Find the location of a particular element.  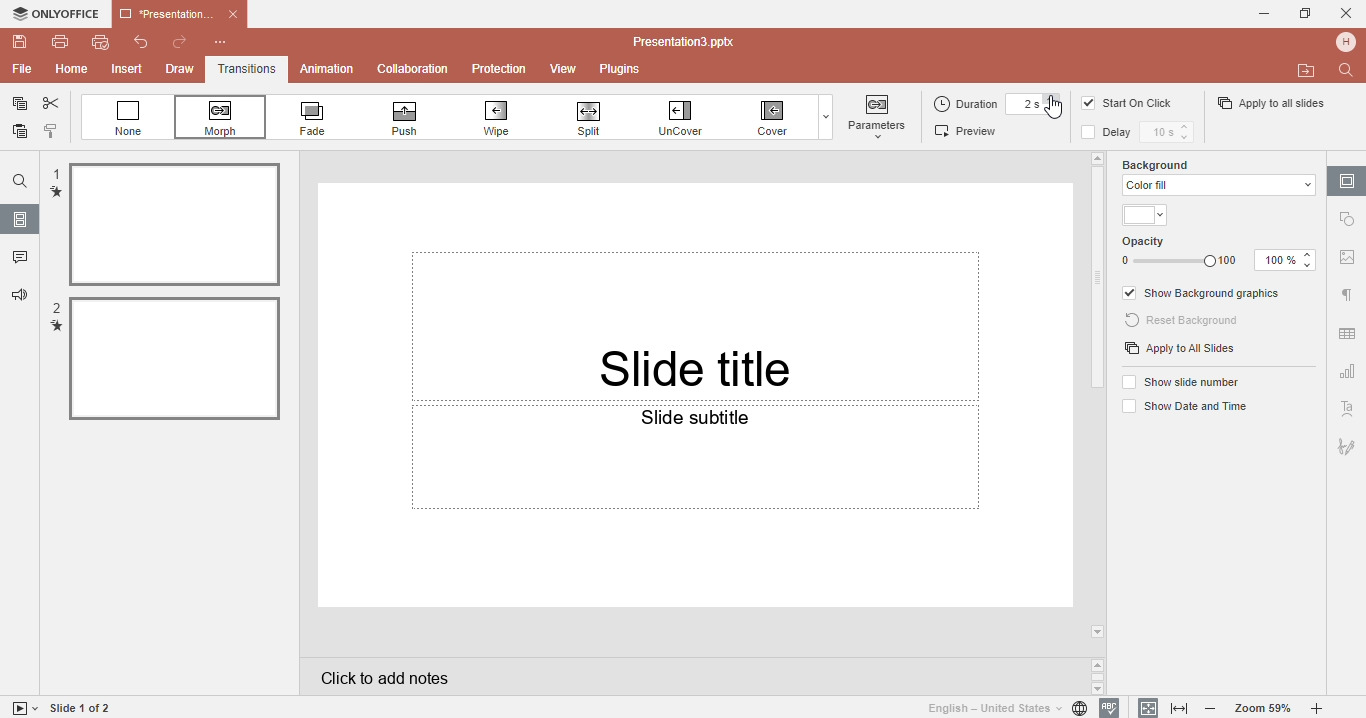

Customize quick access toolbar is located at coordinates (231, 42).